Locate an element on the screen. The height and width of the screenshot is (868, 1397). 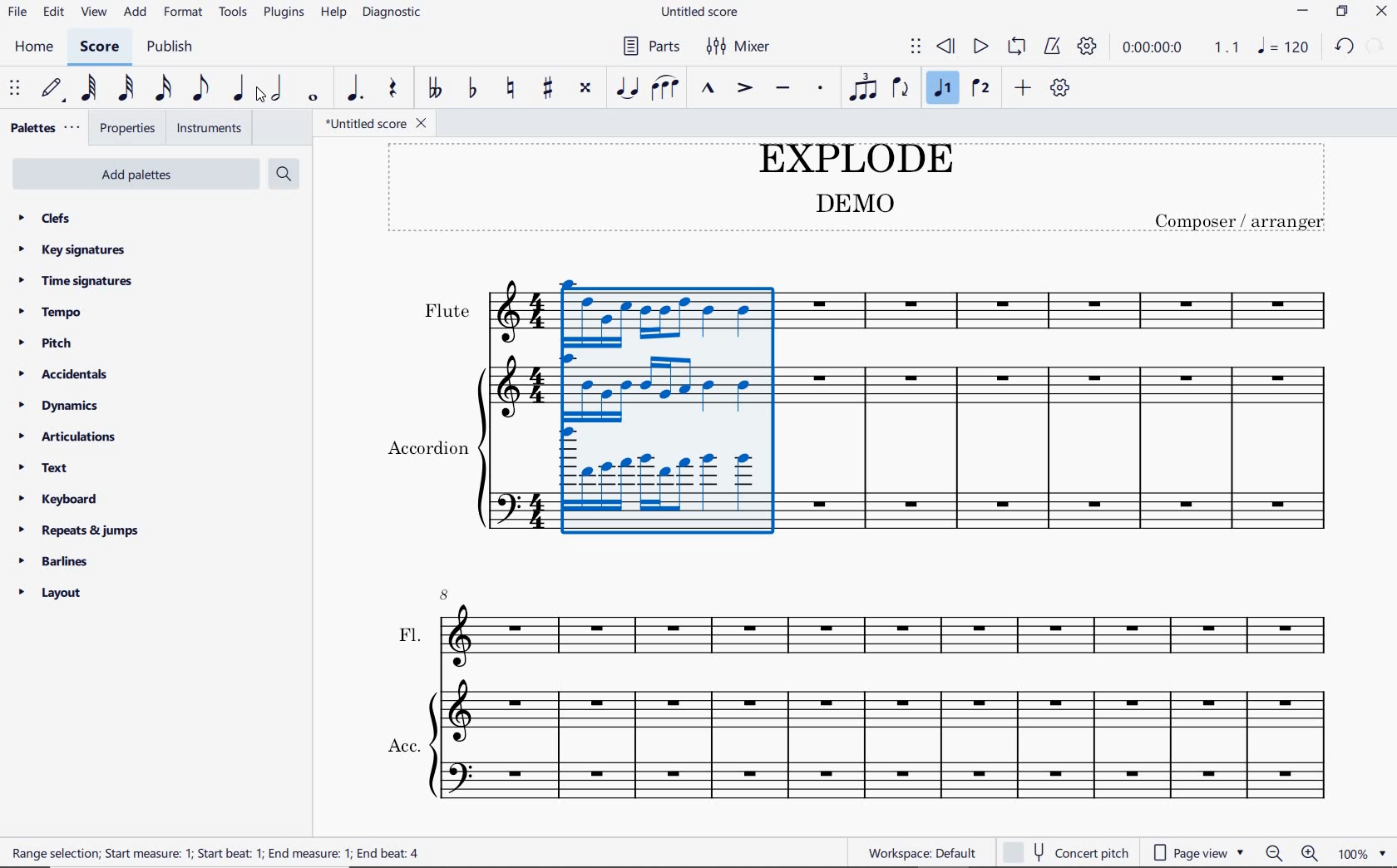
cursor is located at coordinates (263, 94).